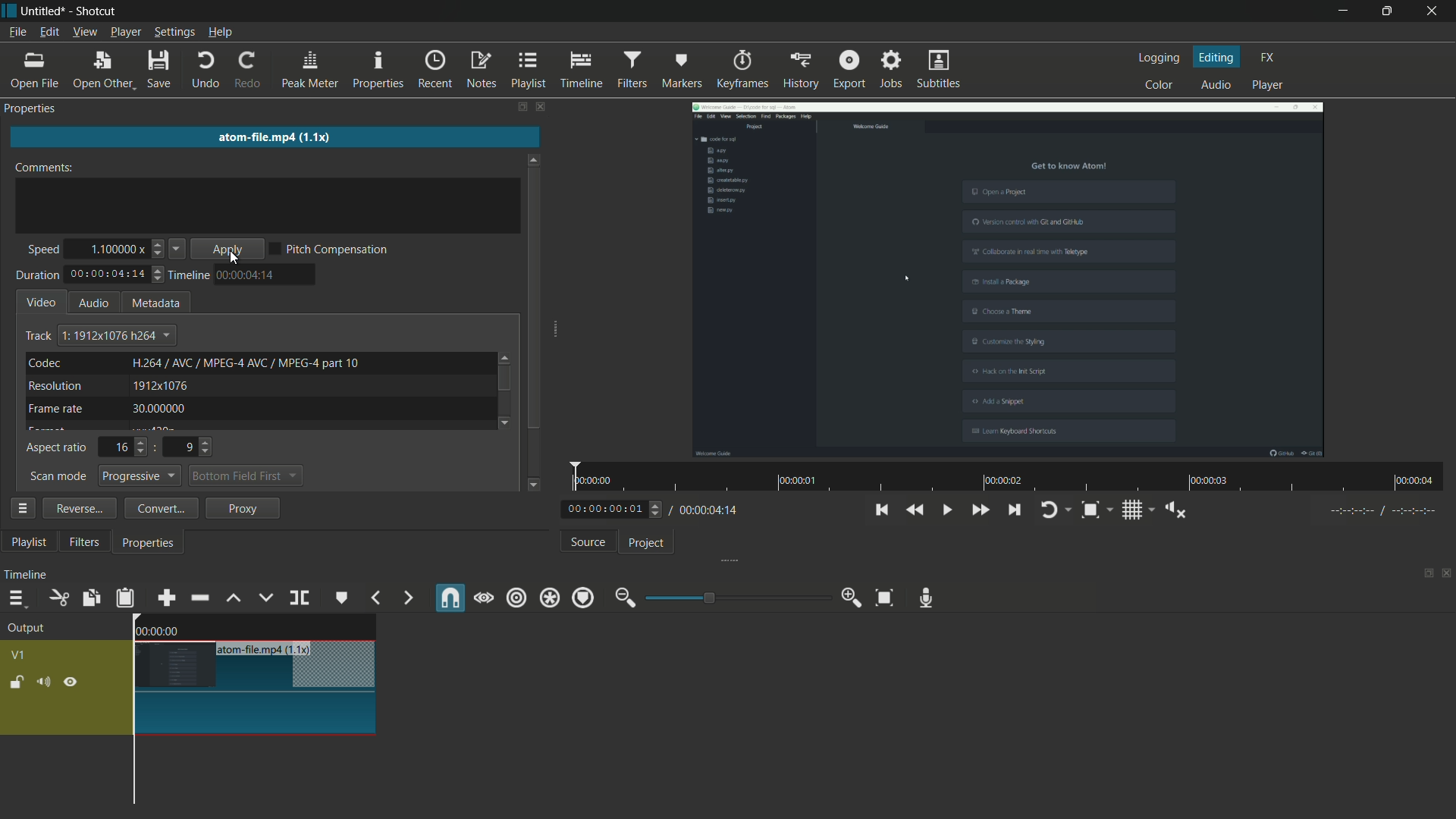  What do you see at coordinates (190, 275) in the screenshot?
I see `timeline` at bounding box center [190, 275].